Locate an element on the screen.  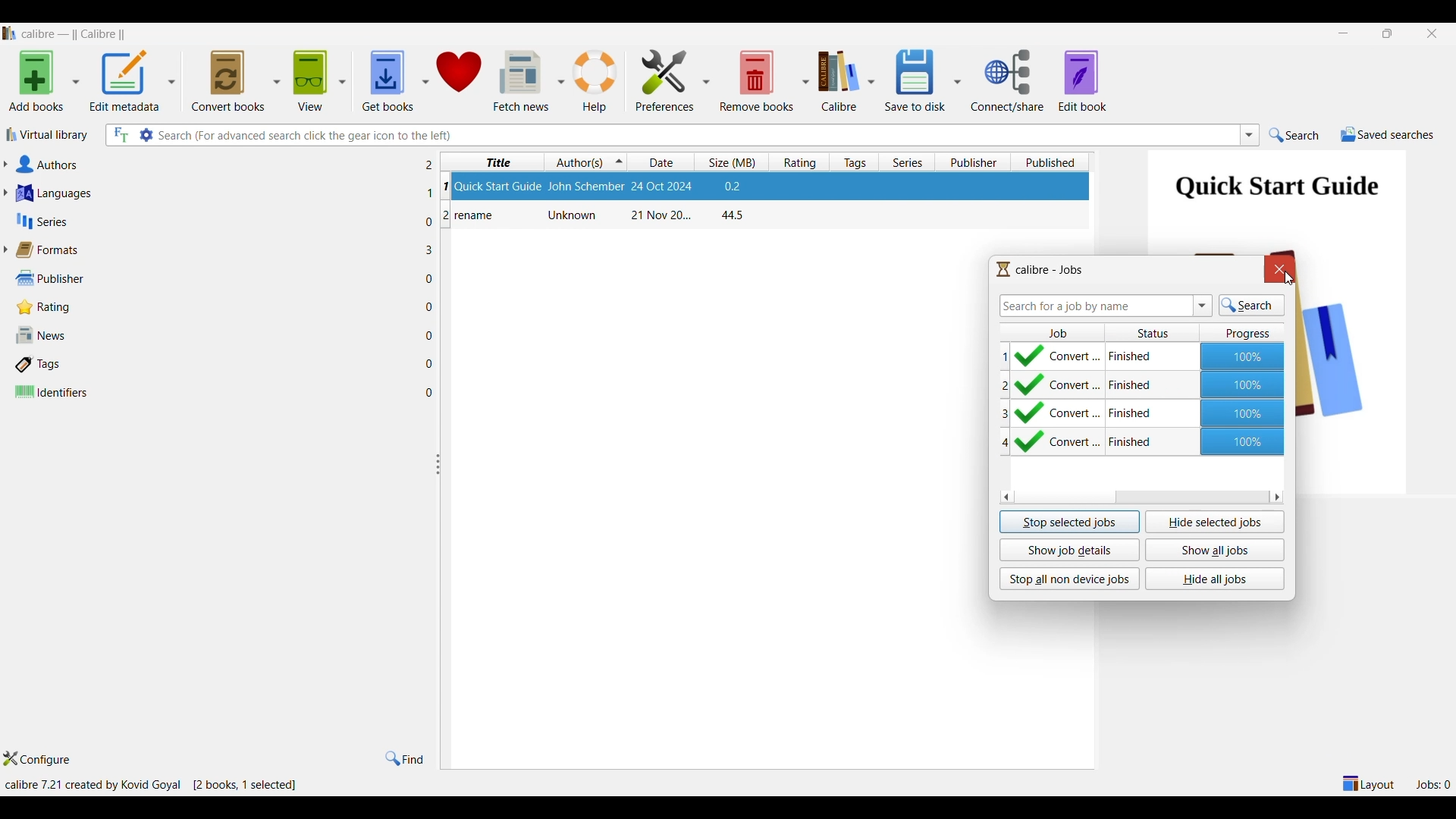
Status column is located at coordinates (1152, 332).